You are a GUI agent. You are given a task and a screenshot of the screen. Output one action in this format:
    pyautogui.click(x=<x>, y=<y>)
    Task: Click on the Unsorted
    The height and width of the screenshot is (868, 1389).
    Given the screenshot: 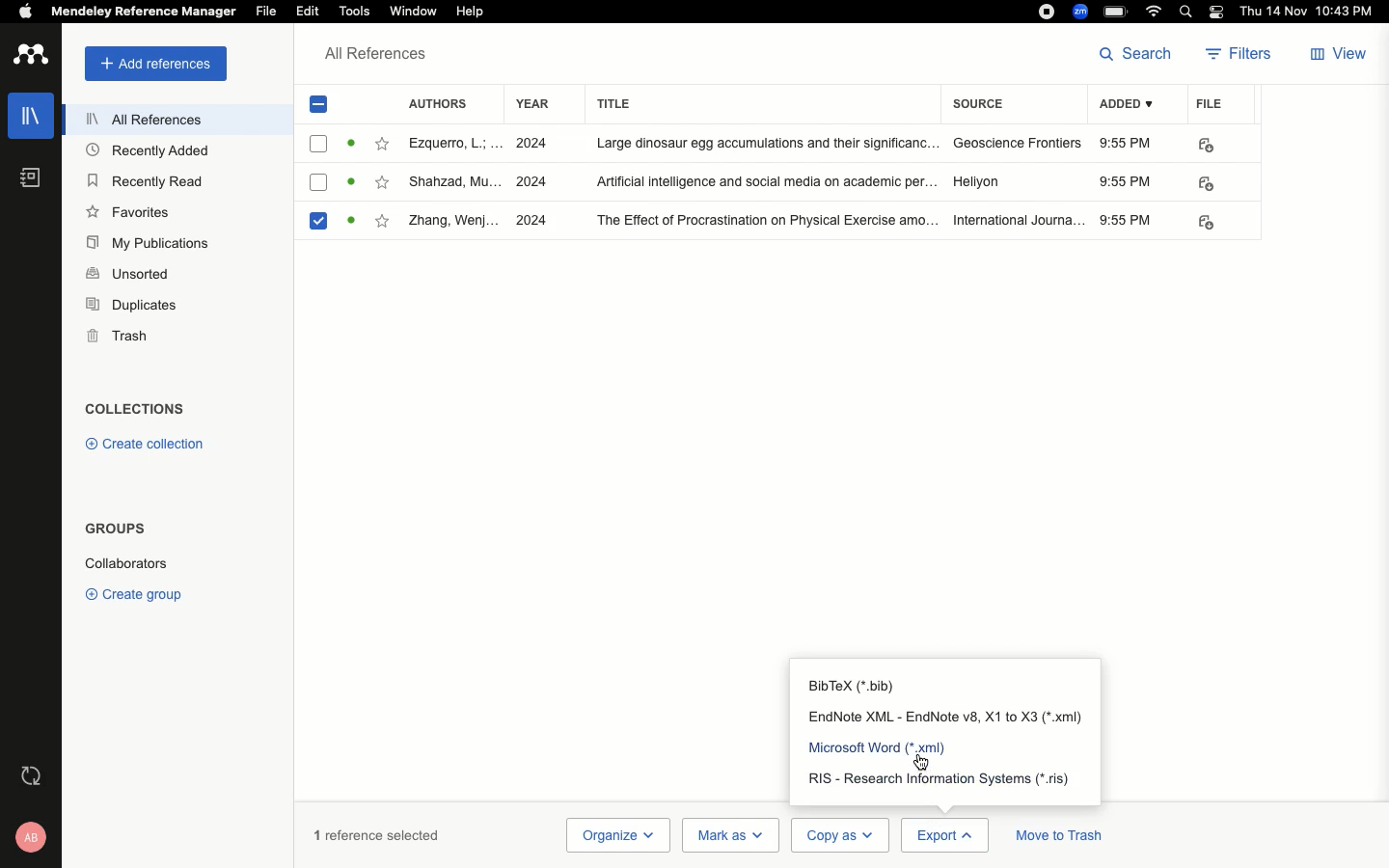 What is the action you would take?
    pyautogui.click(x=128, y=273)
    